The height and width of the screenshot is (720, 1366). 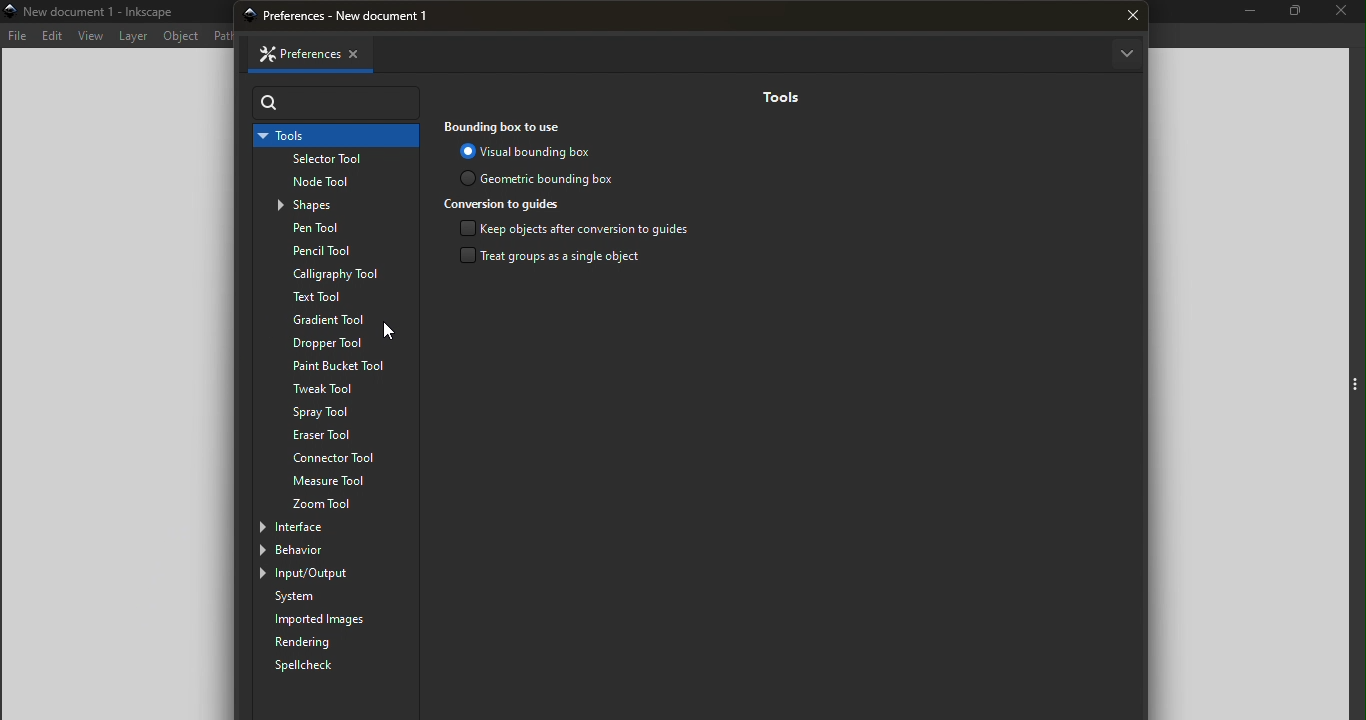 I want to click on Gradient tool, so click(x=338, y=319).